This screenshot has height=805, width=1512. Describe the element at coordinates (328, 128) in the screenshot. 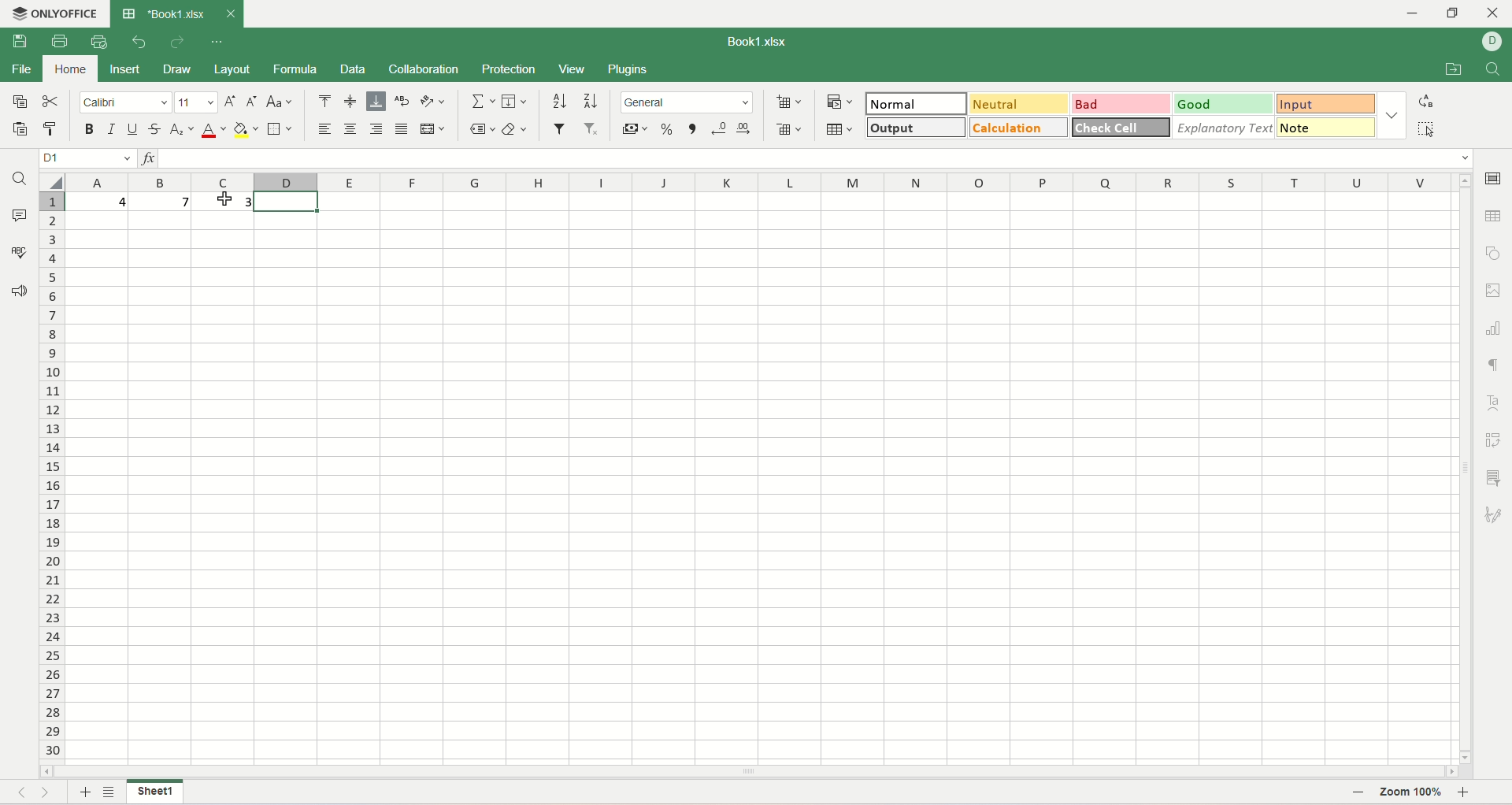

I see `align left` at that location.